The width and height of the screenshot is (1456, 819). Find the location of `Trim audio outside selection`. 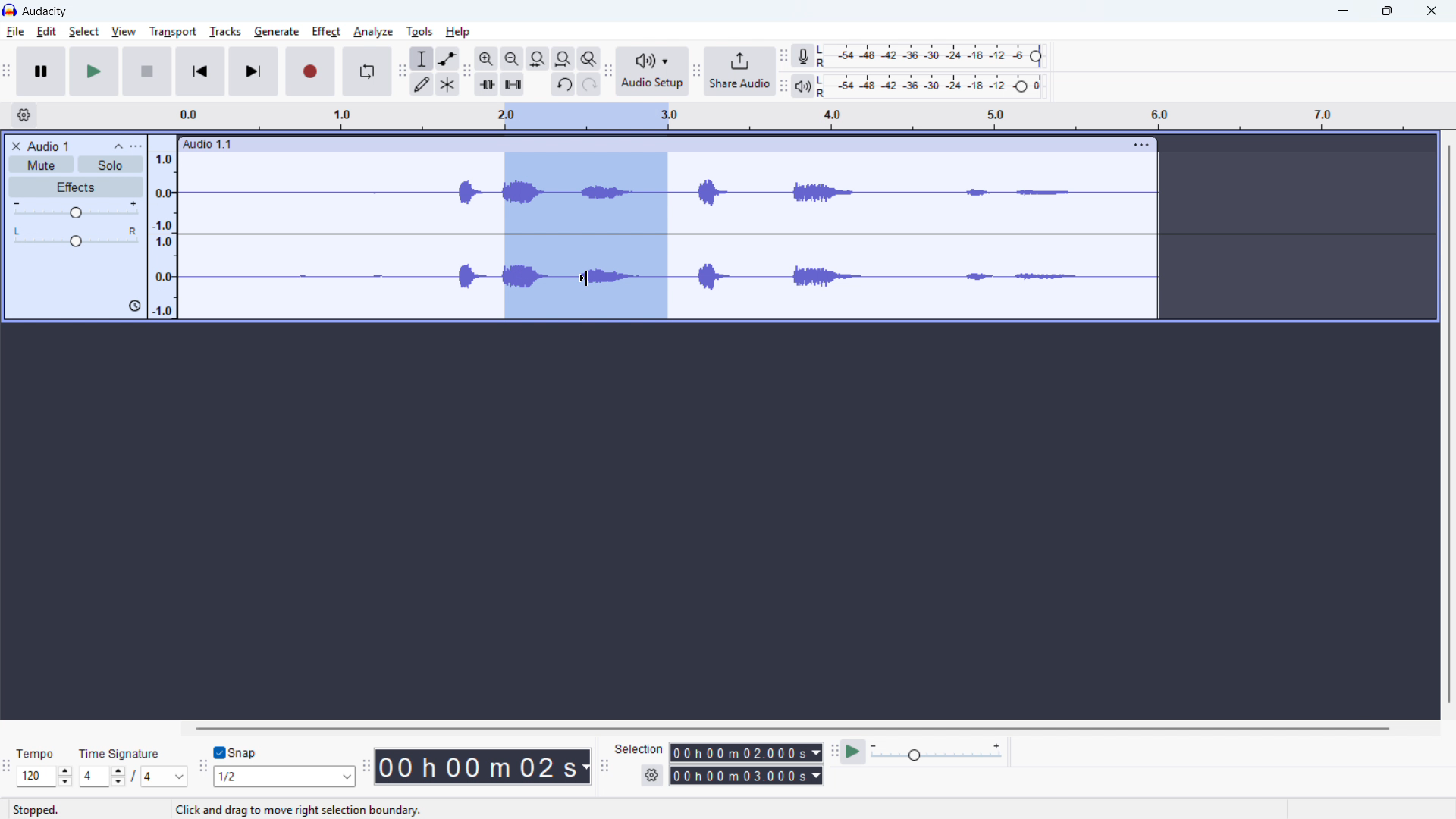

Trim audio outside selection is located at coordinates (487, 84).